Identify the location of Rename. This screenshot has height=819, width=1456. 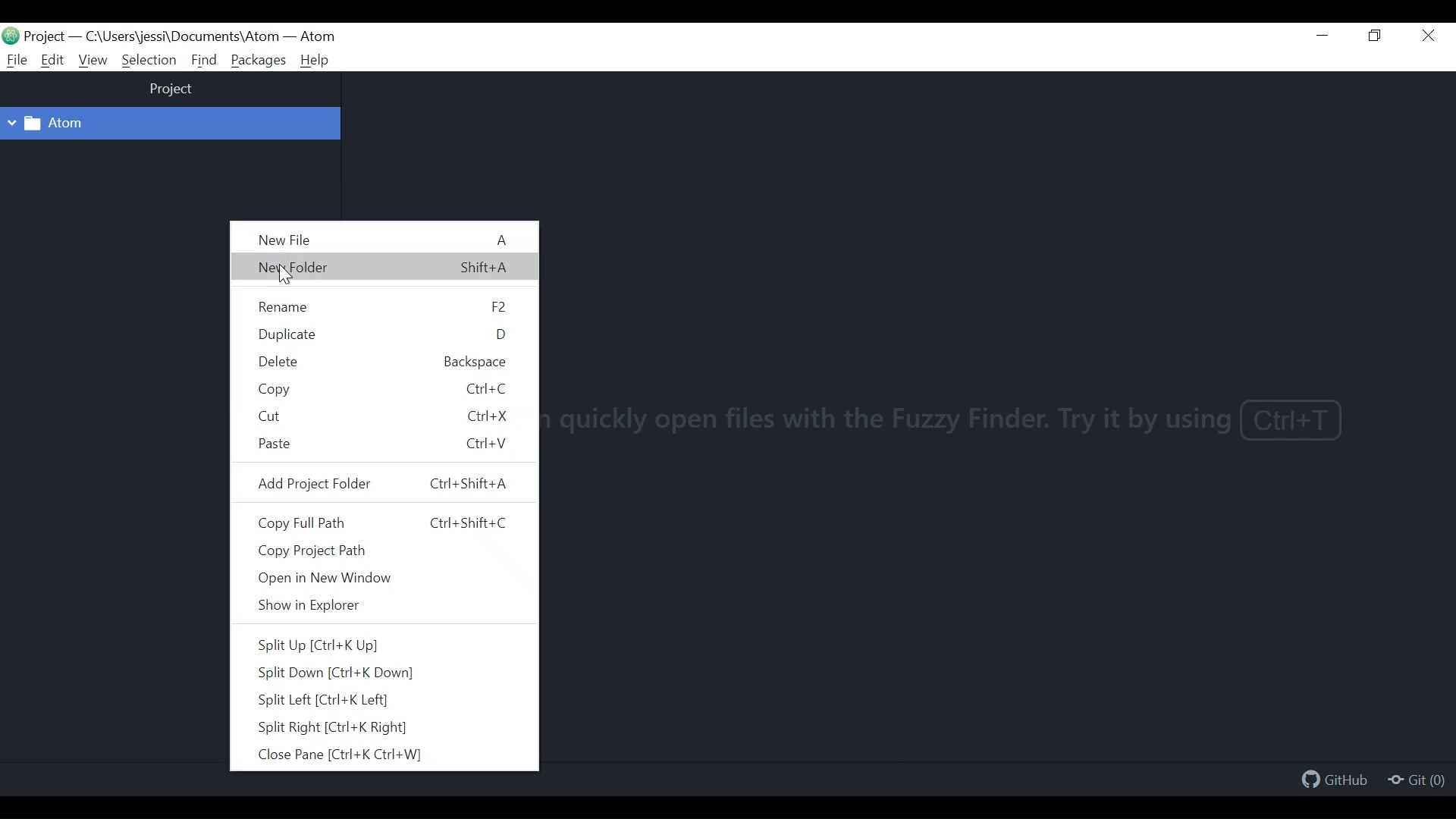
(286, 306).